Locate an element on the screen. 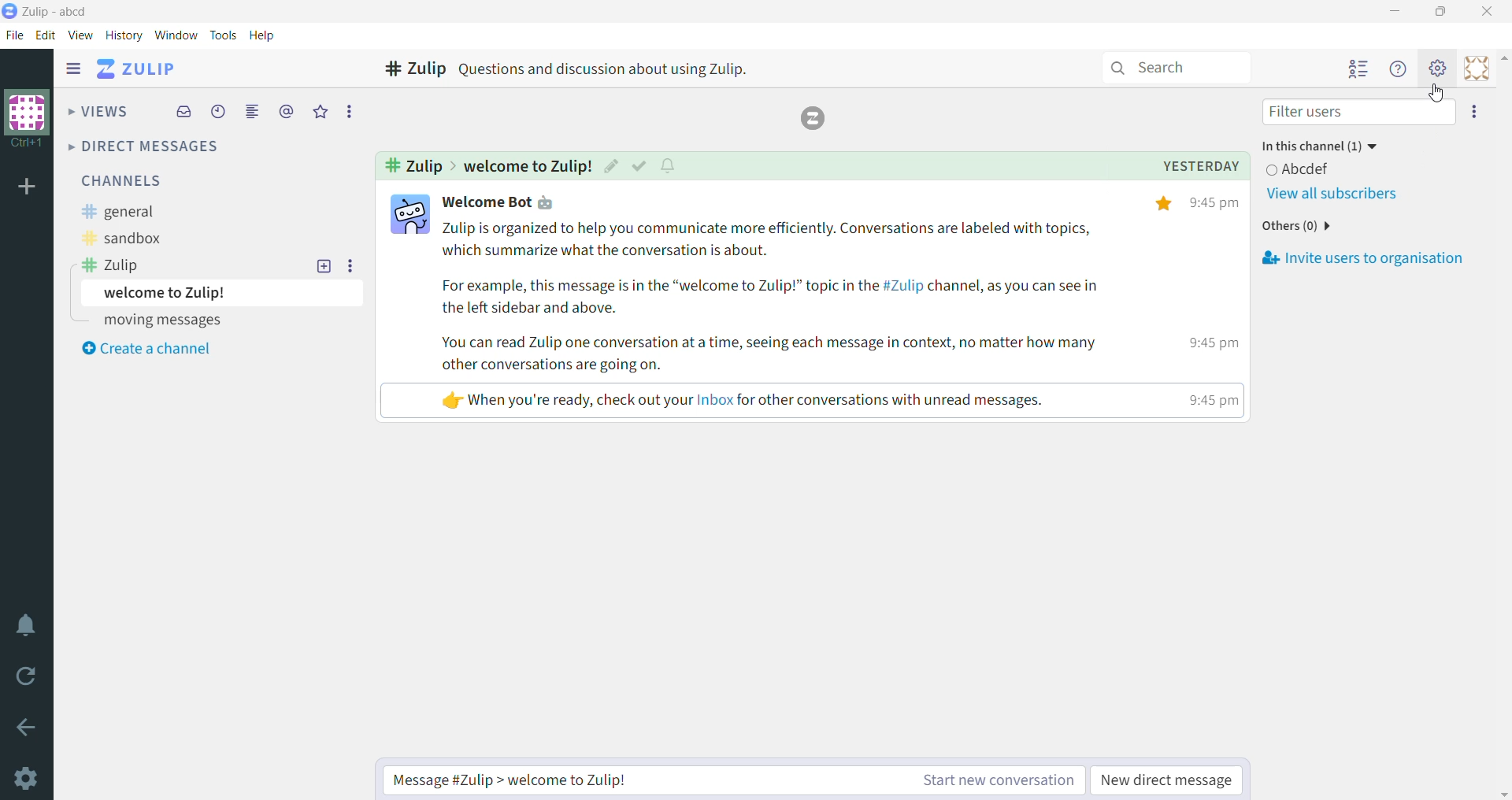  Channels is located at coordinates (120, 180).